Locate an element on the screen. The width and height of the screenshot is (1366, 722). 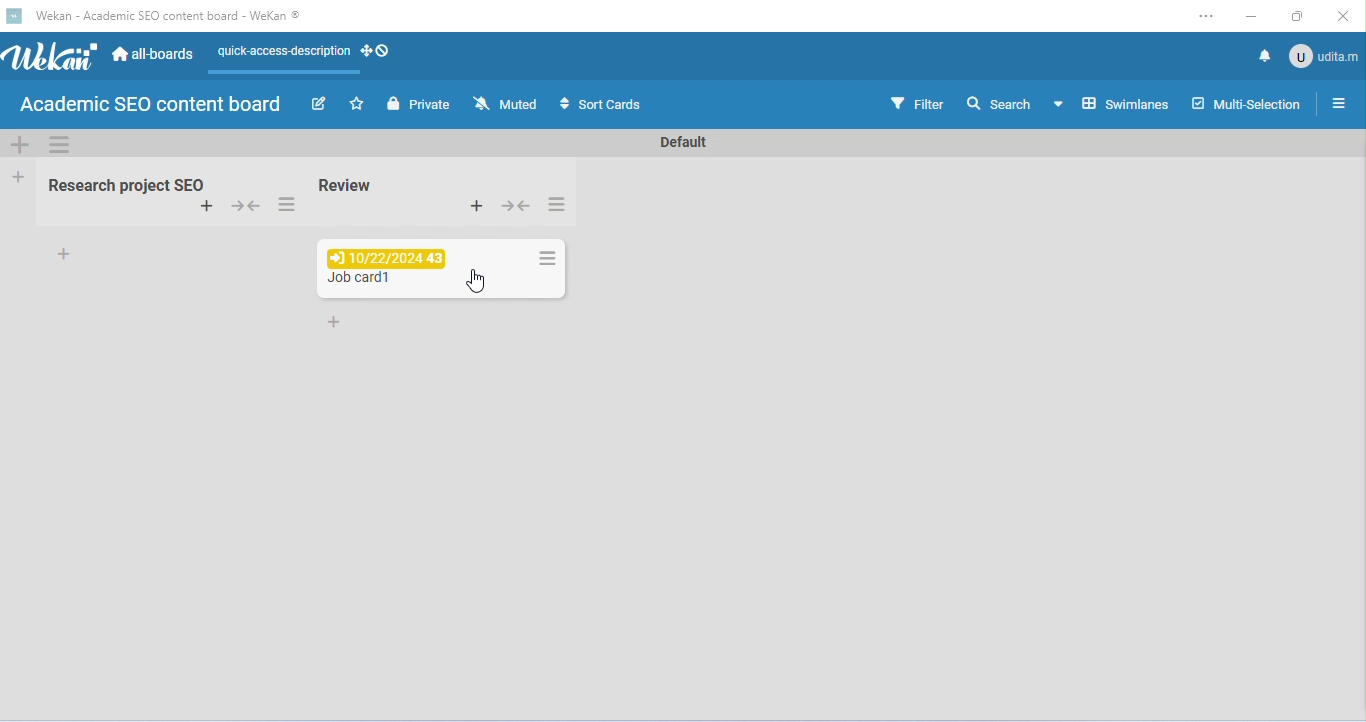
quick-access-description is located at coordinates (281, 54).